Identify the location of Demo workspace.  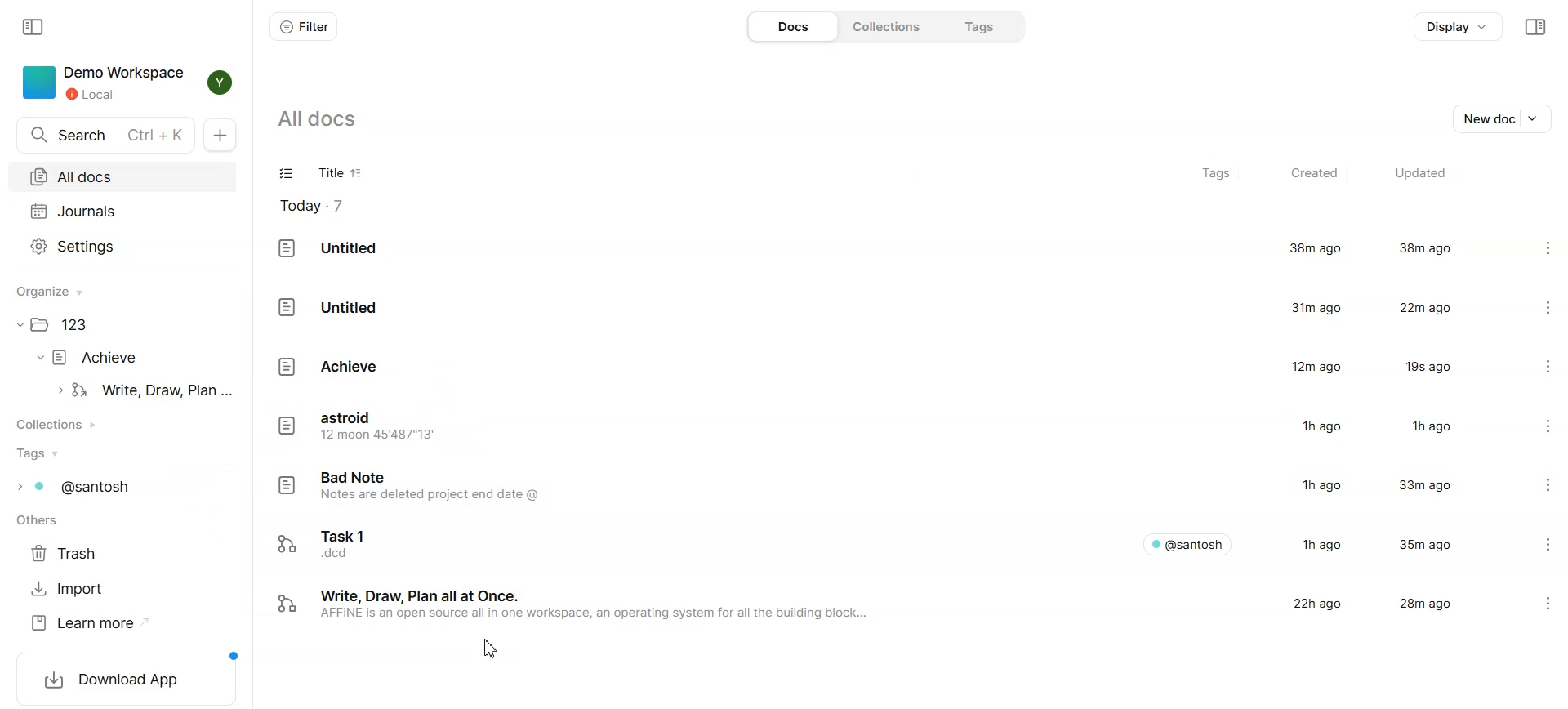
(102, 82).